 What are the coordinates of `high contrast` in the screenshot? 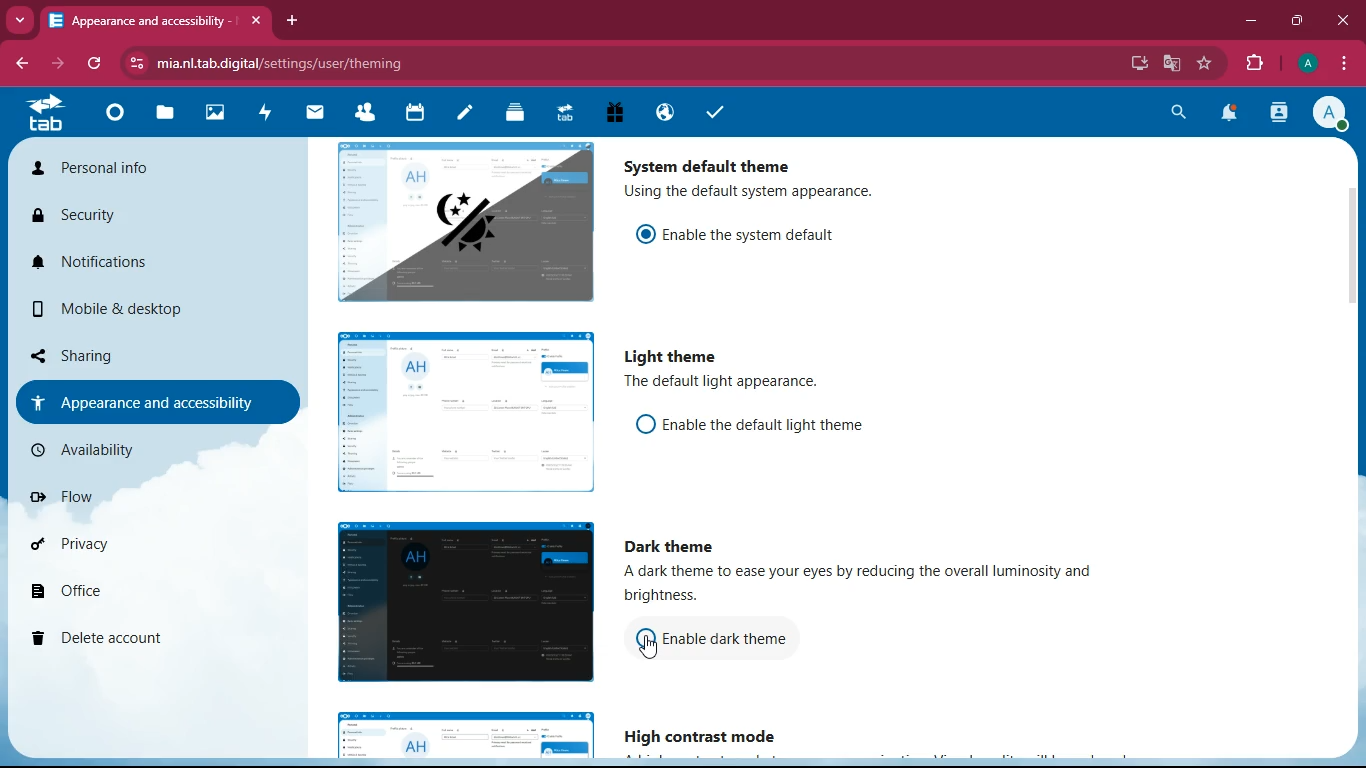 It's located at (710, 737).